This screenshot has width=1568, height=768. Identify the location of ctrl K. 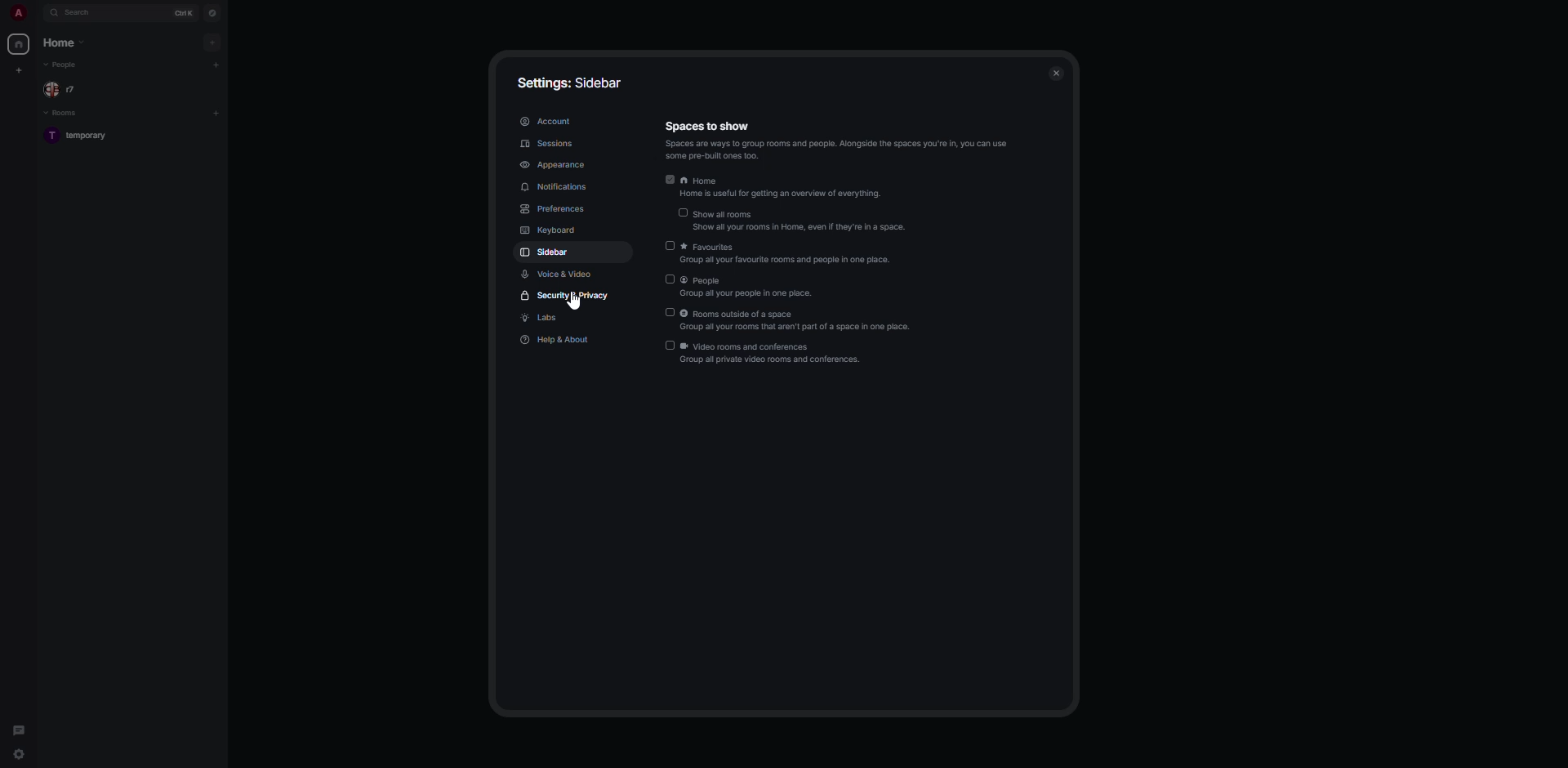
(181, 12).